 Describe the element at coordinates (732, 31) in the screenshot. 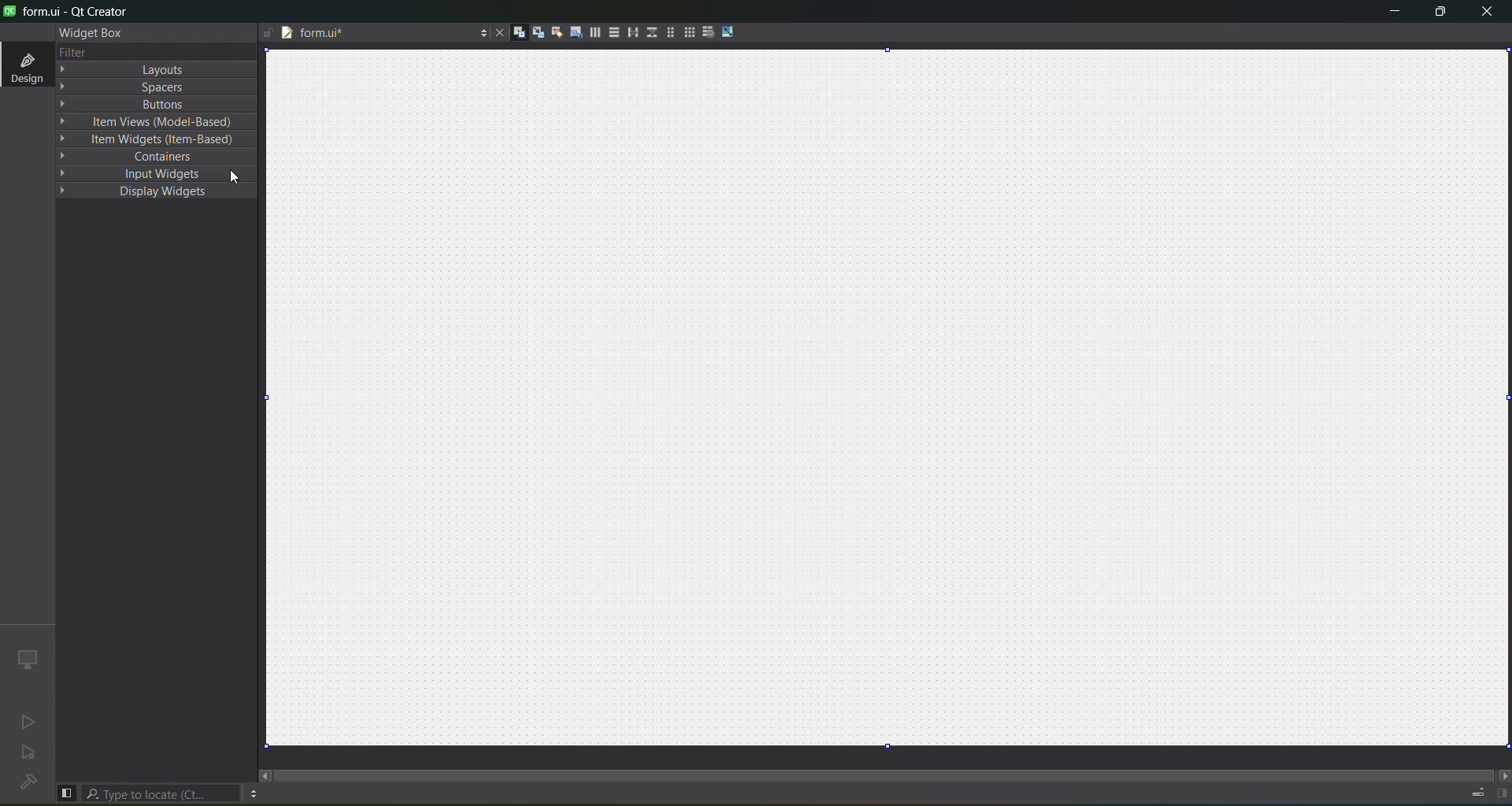

I see `adjust size` at that location.